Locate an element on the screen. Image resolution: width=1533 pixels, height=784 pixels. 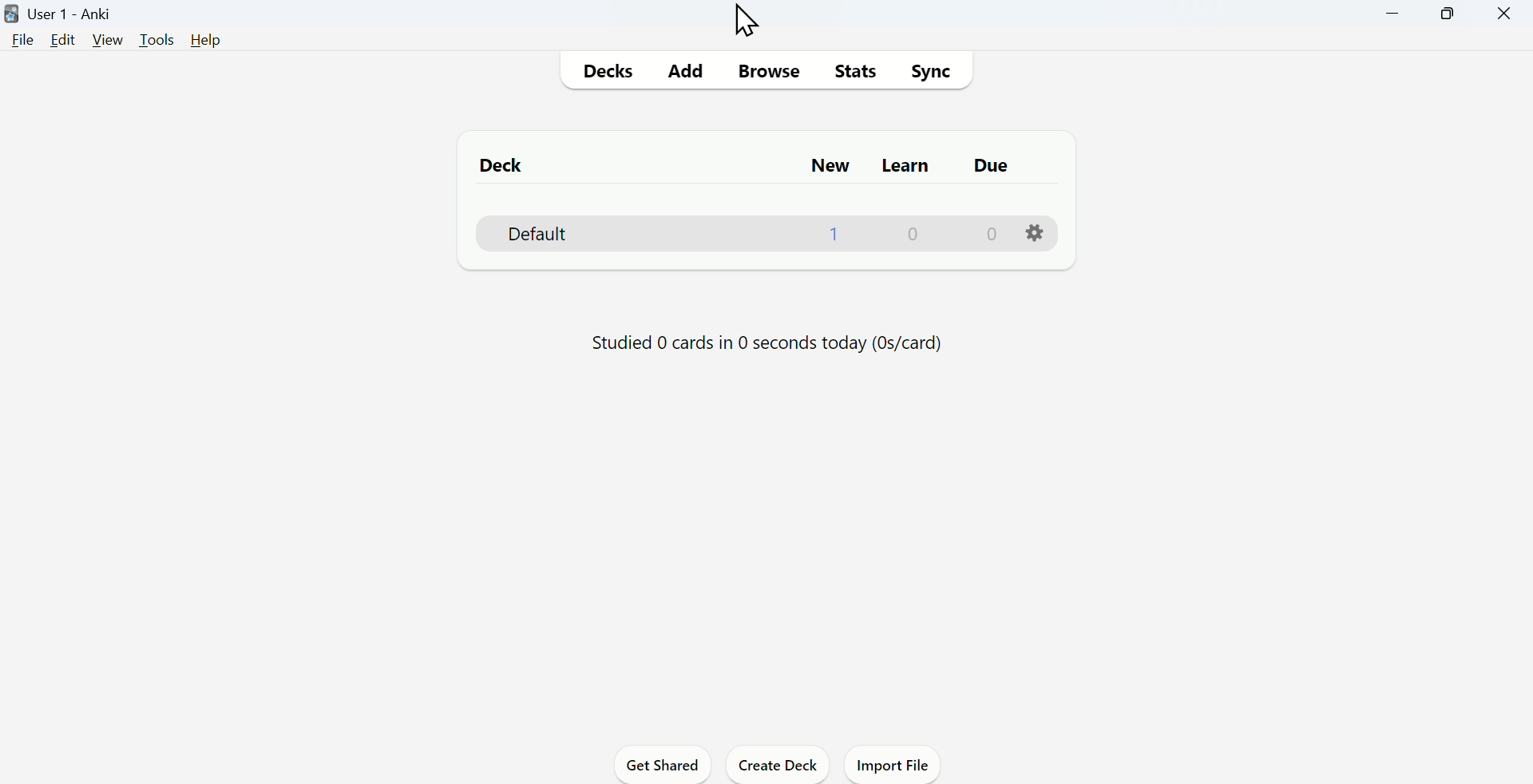
Add is located at coordinates (680, 71).